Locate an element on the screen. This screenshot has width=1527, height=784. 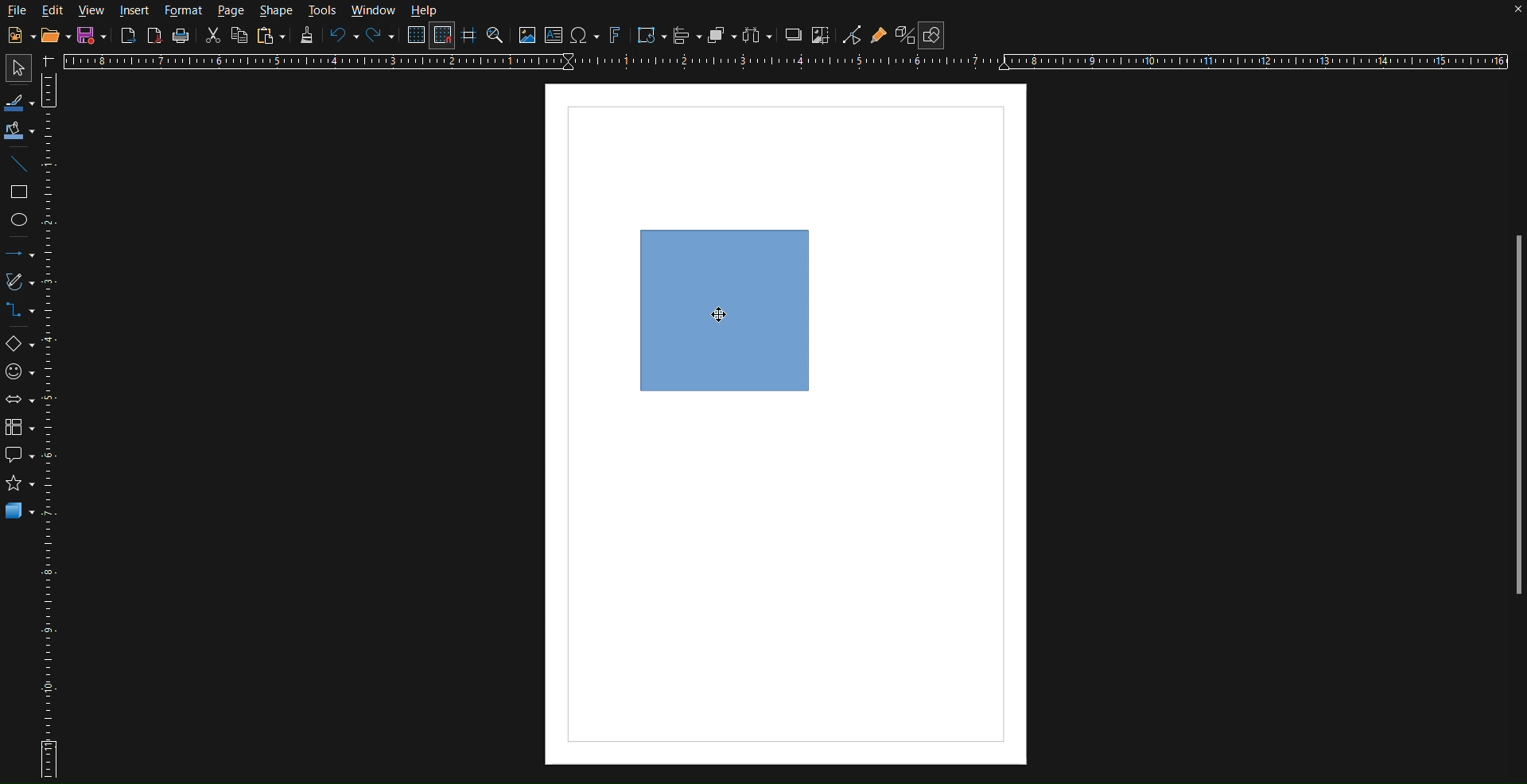
Align Objects is located at coordinates (689, 39).